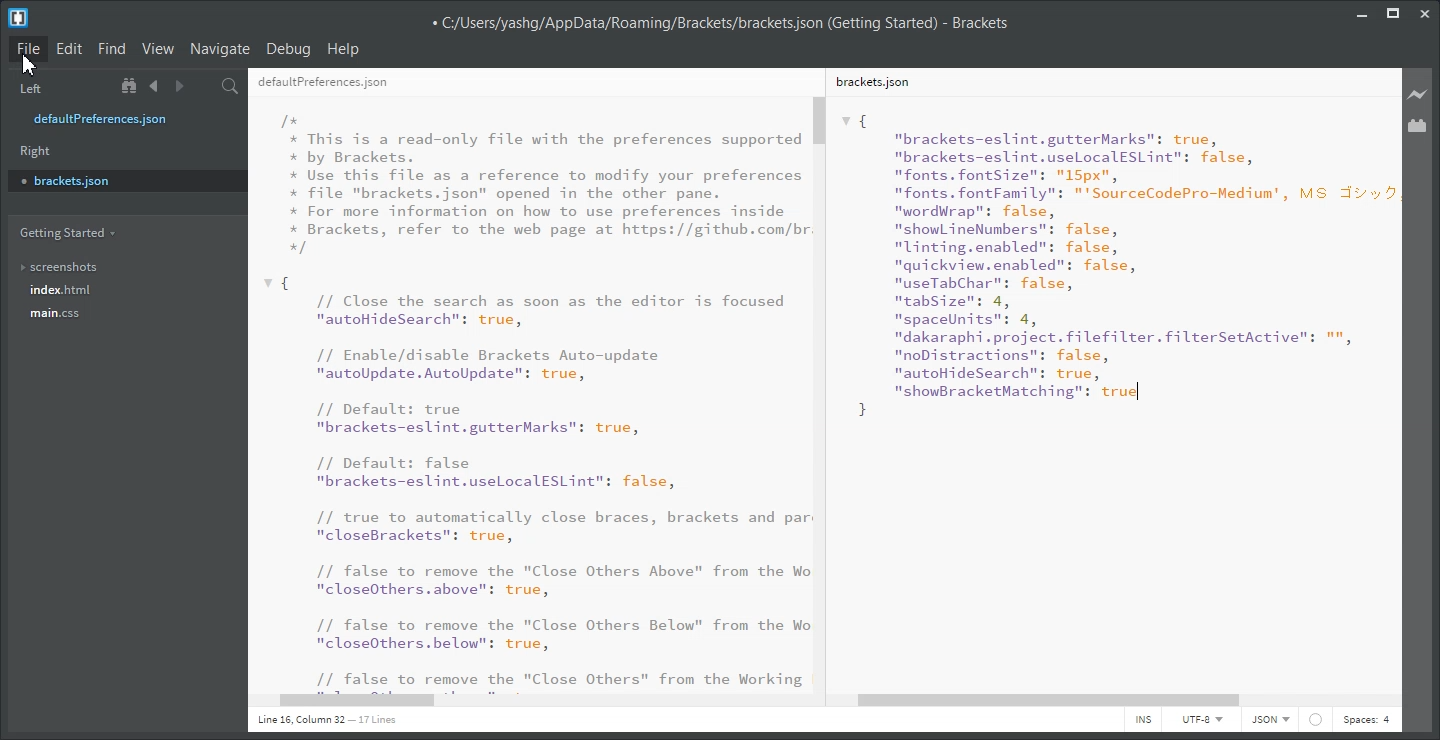 This screenshot has width=1440, height=740. What do you see at coordinates (1143, 720) in the screenshot?
I see `INS` at bounding box center [1143, 720].